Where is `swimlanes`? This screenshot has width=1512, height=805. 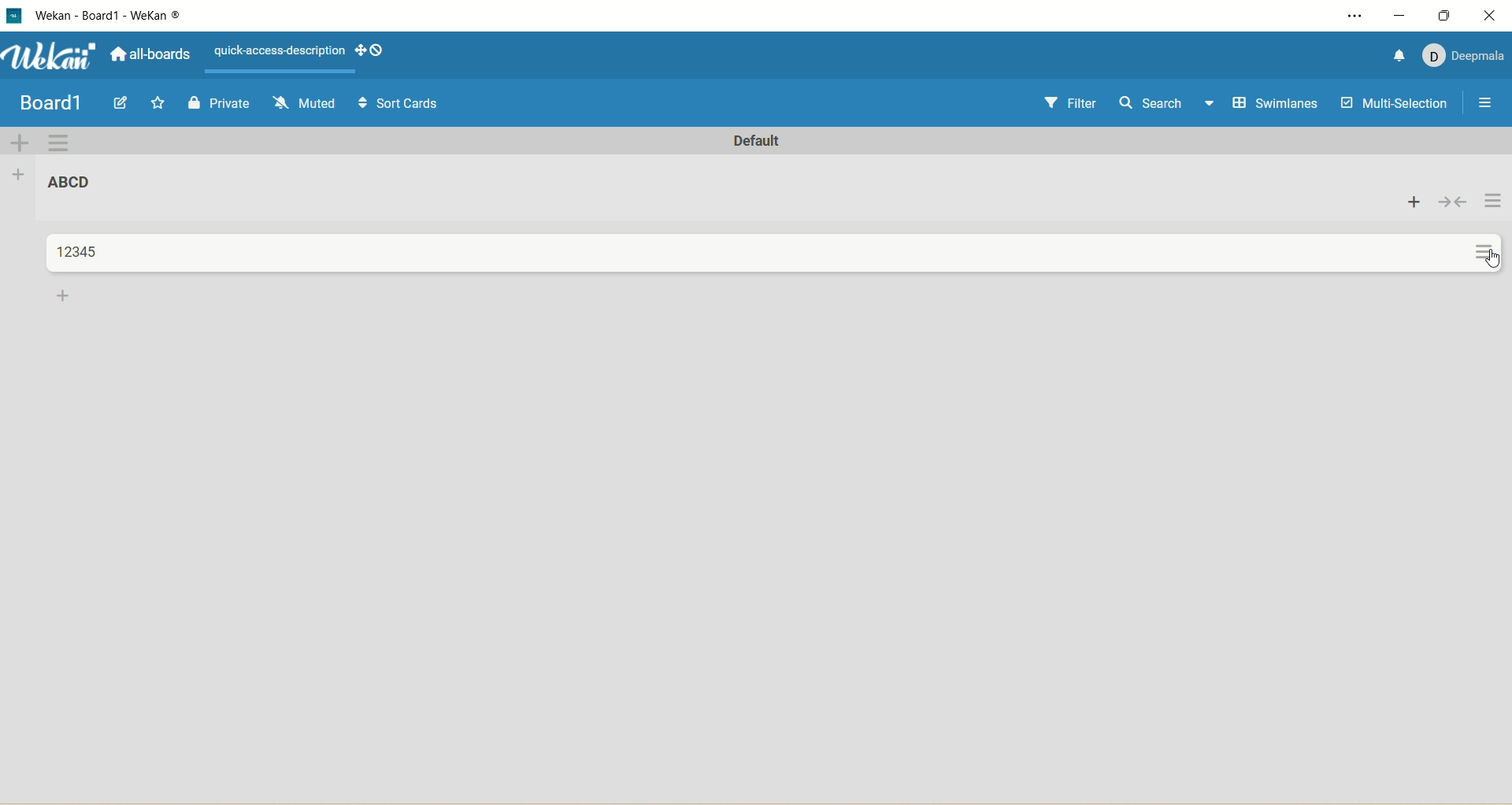
swimlanes is located at coordinates (1279, 104).